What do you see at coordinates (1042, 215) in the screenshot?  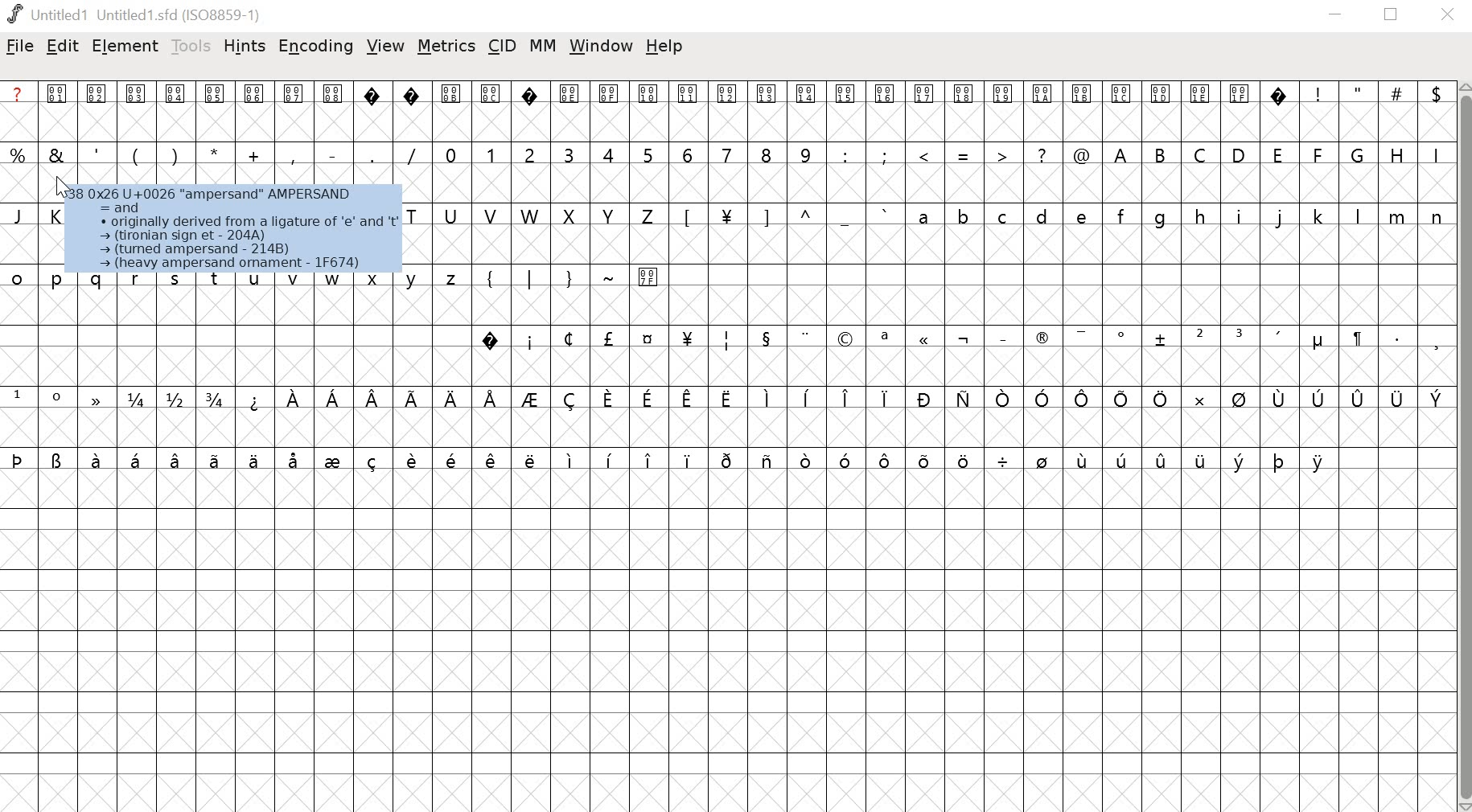 I see `d` at bounding box center [1042, 215].